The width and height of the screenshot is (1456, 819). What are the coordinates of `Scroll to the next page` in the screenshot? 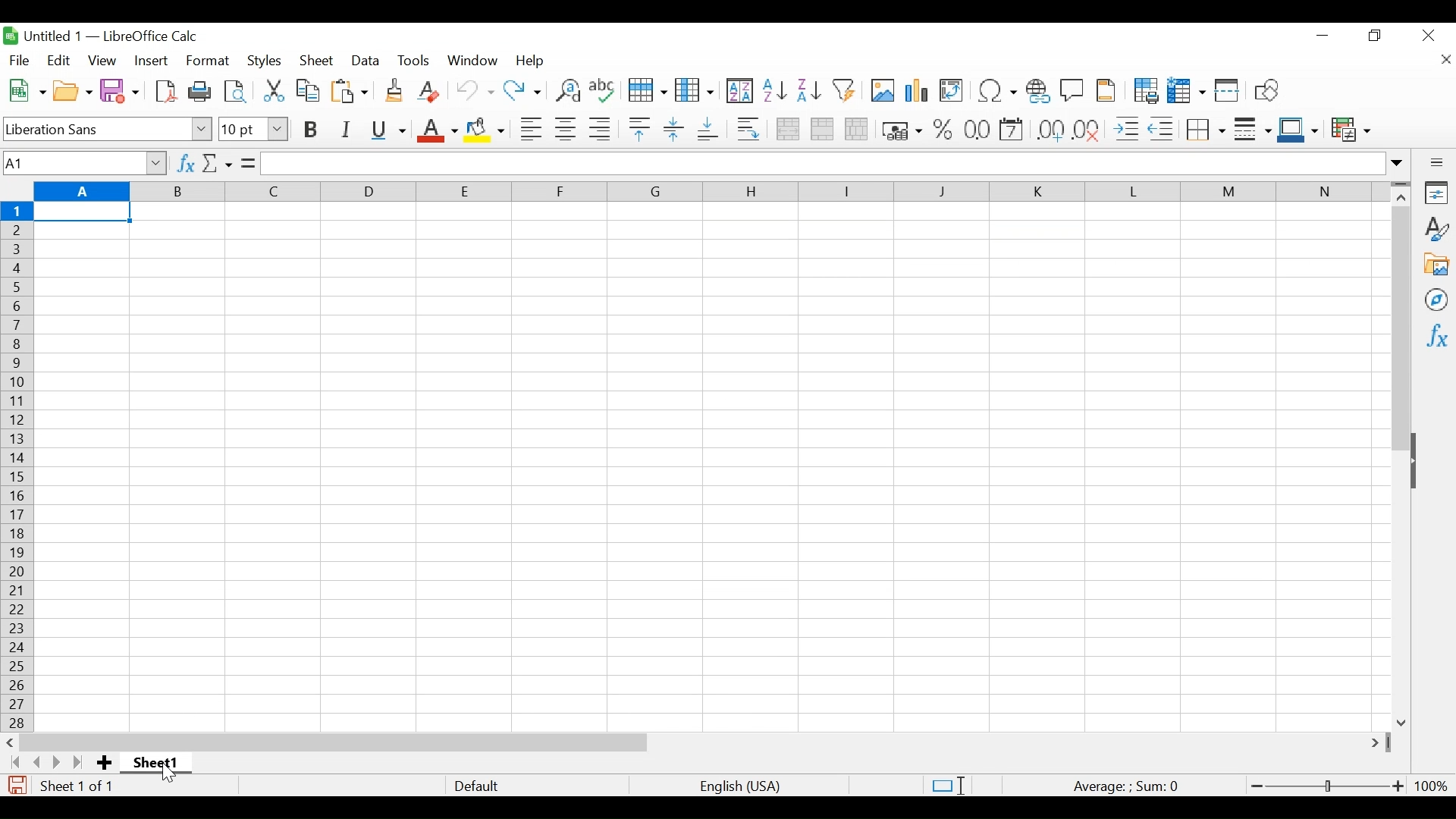 It's located at (60, 762).